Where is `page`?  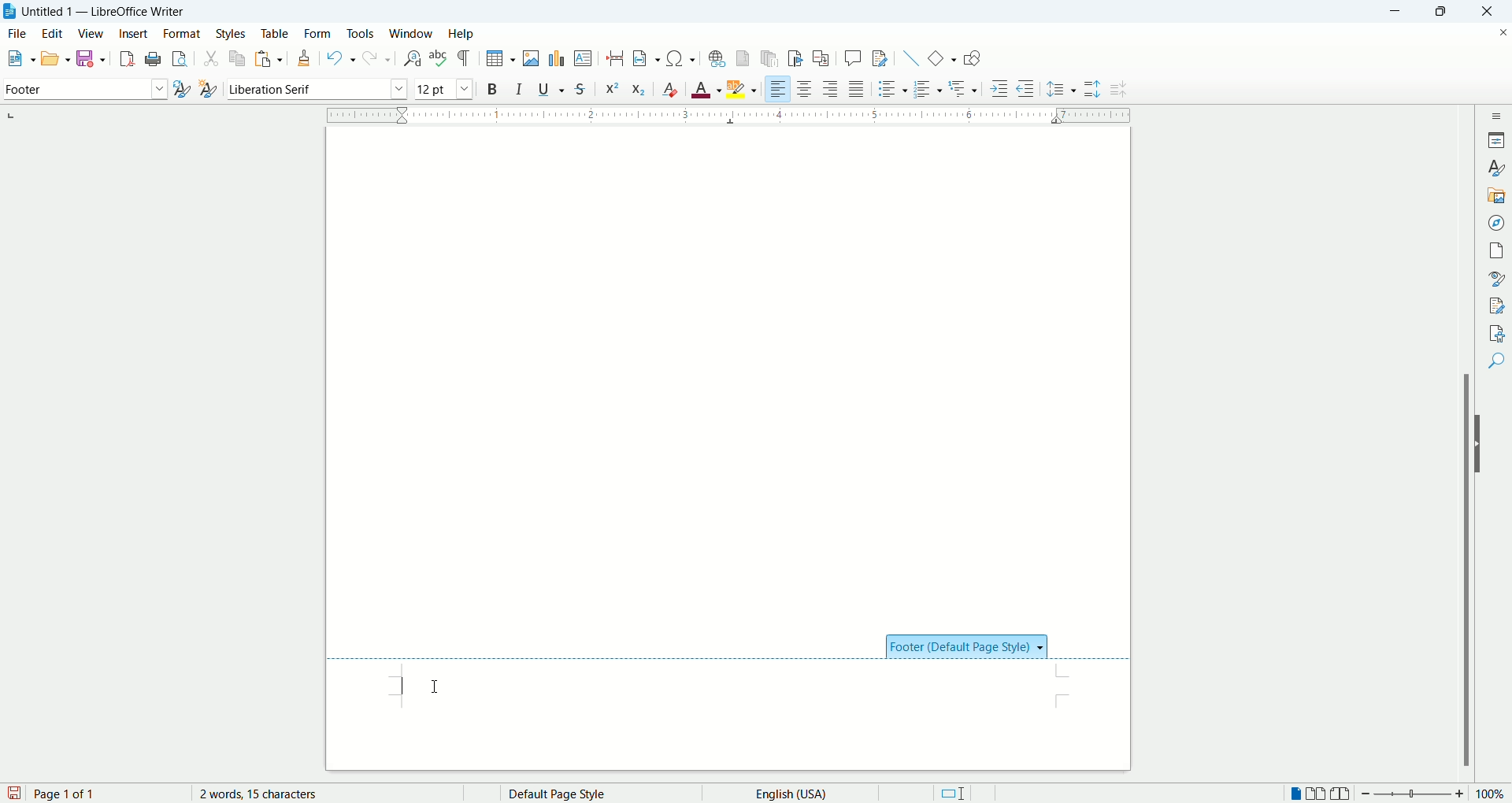 page is located at coordinates (1499, 248).